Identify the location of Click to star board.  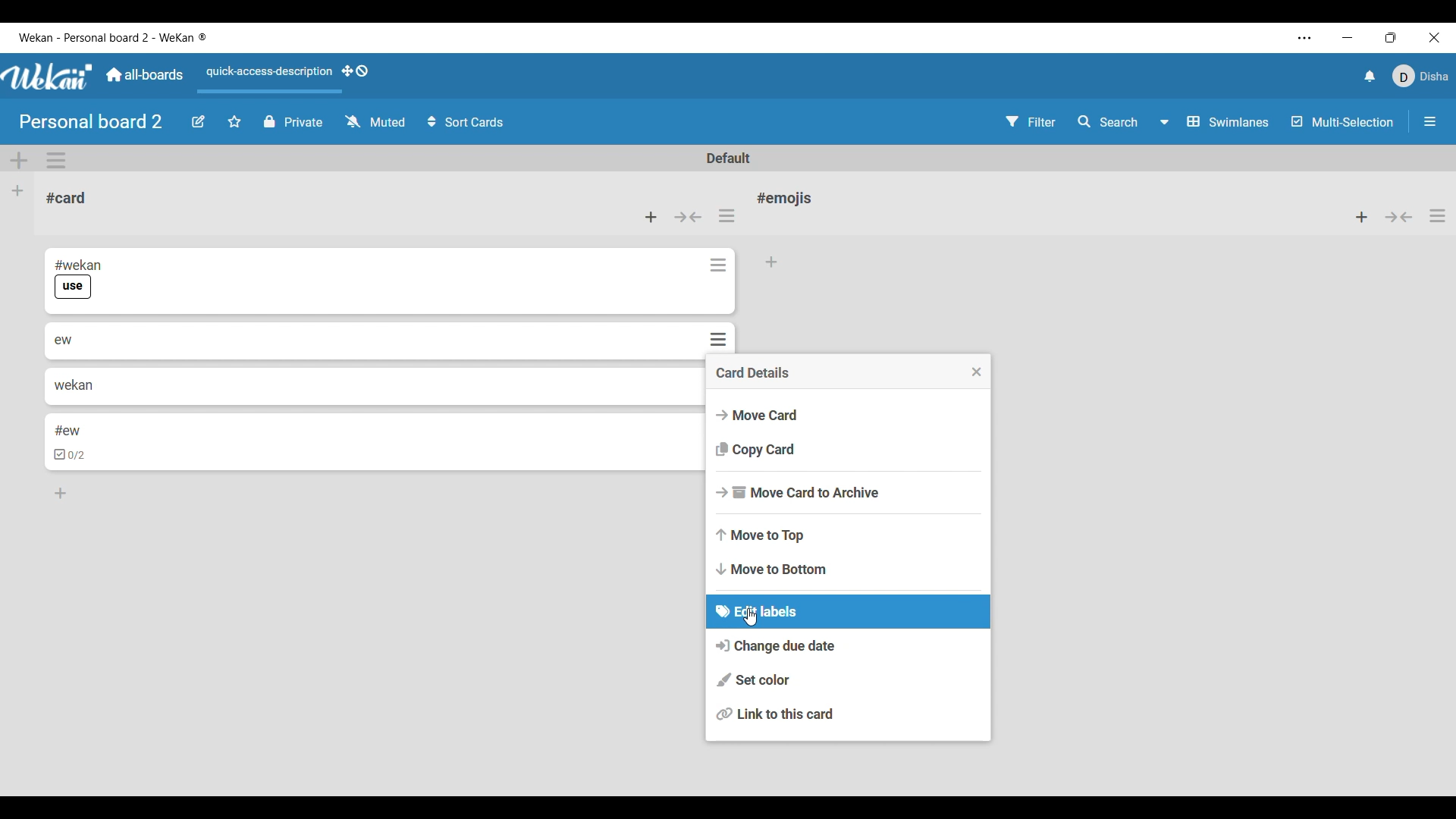
(234, 122).